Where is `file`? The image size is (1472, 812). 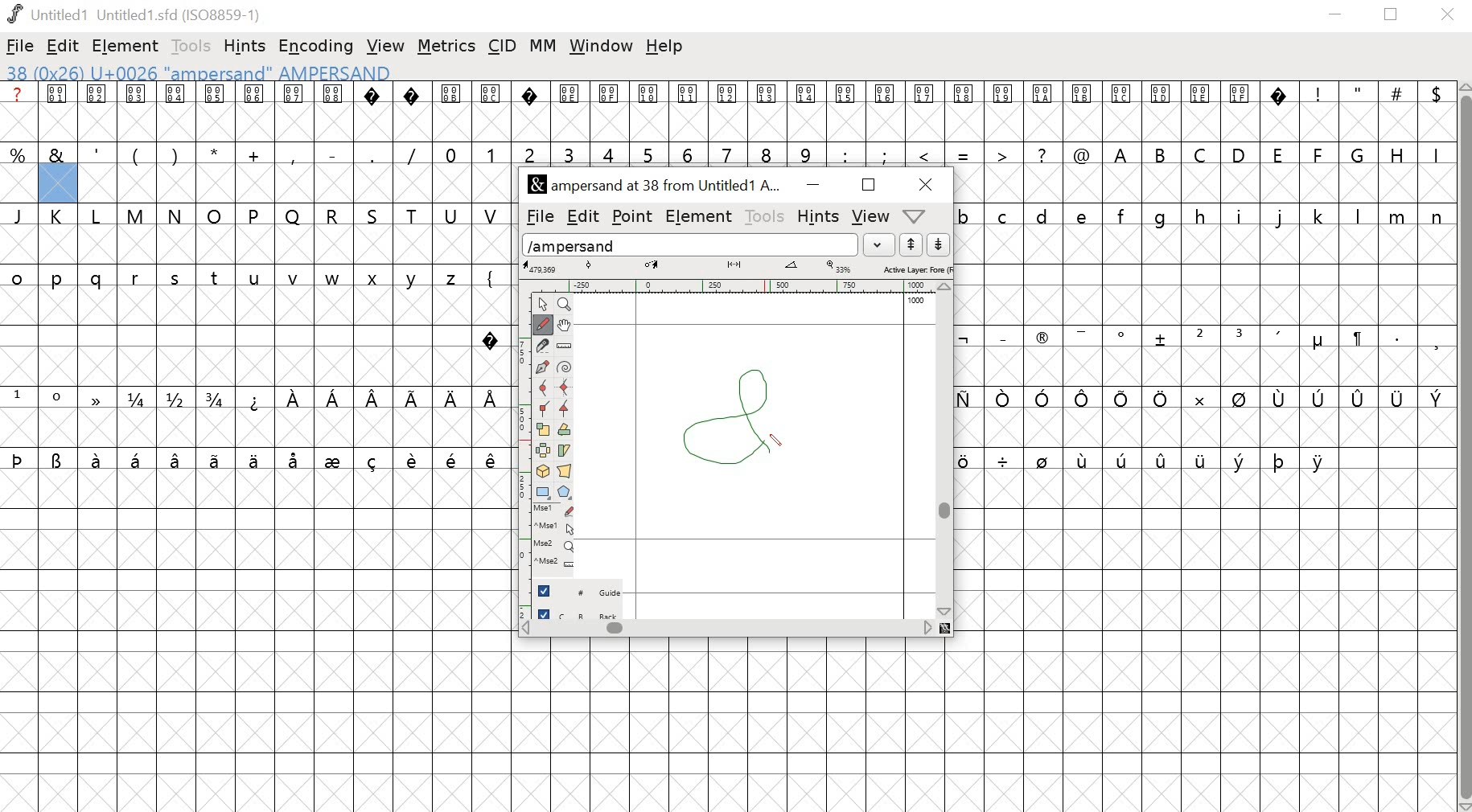
file is located at coordinates (537, 217).